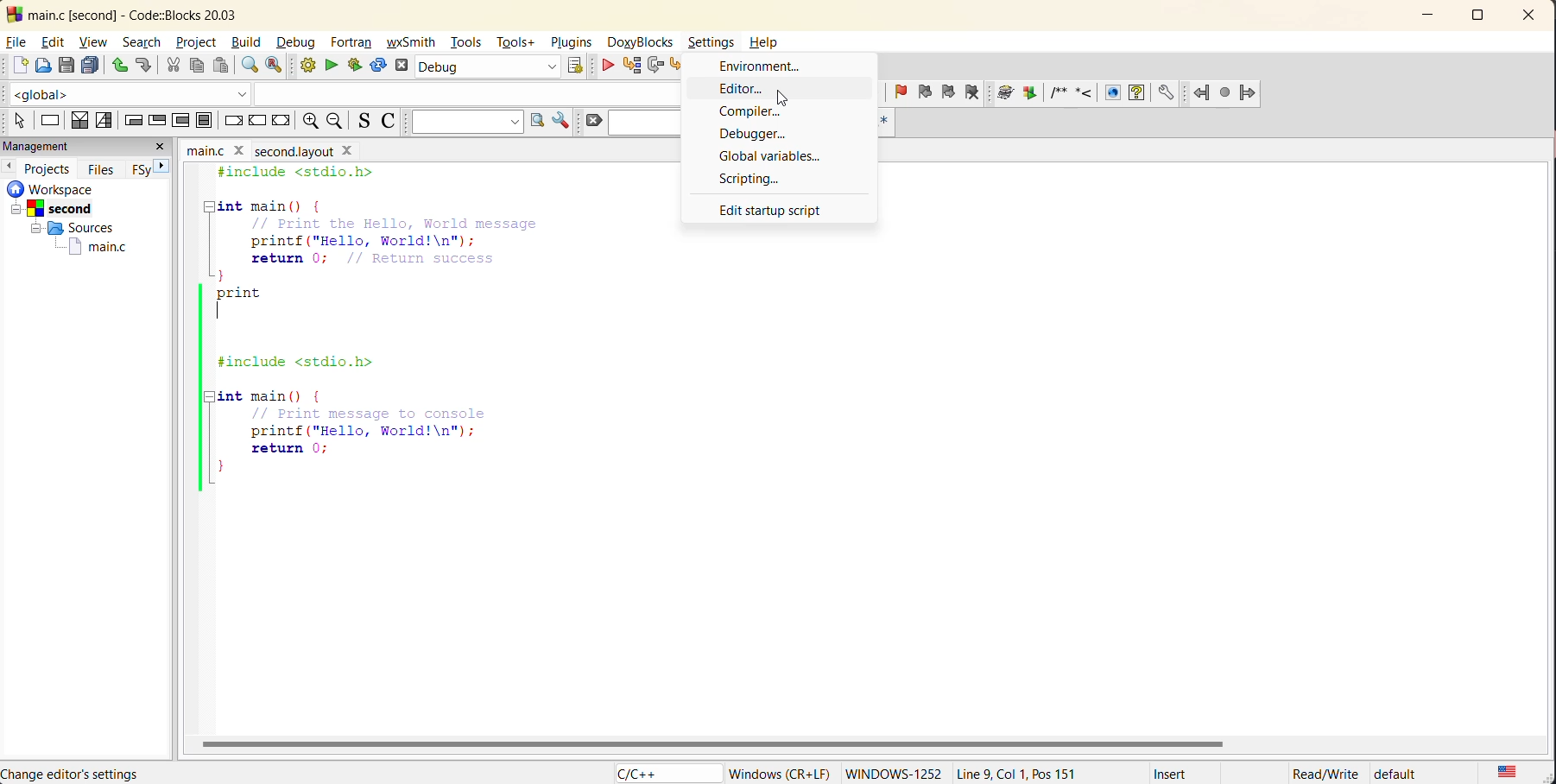 Image resolution: width=1556 pixels, height=784 pixels. Describe the element at coordinates (66, 66) in the screenshot. I see `save` at that location.